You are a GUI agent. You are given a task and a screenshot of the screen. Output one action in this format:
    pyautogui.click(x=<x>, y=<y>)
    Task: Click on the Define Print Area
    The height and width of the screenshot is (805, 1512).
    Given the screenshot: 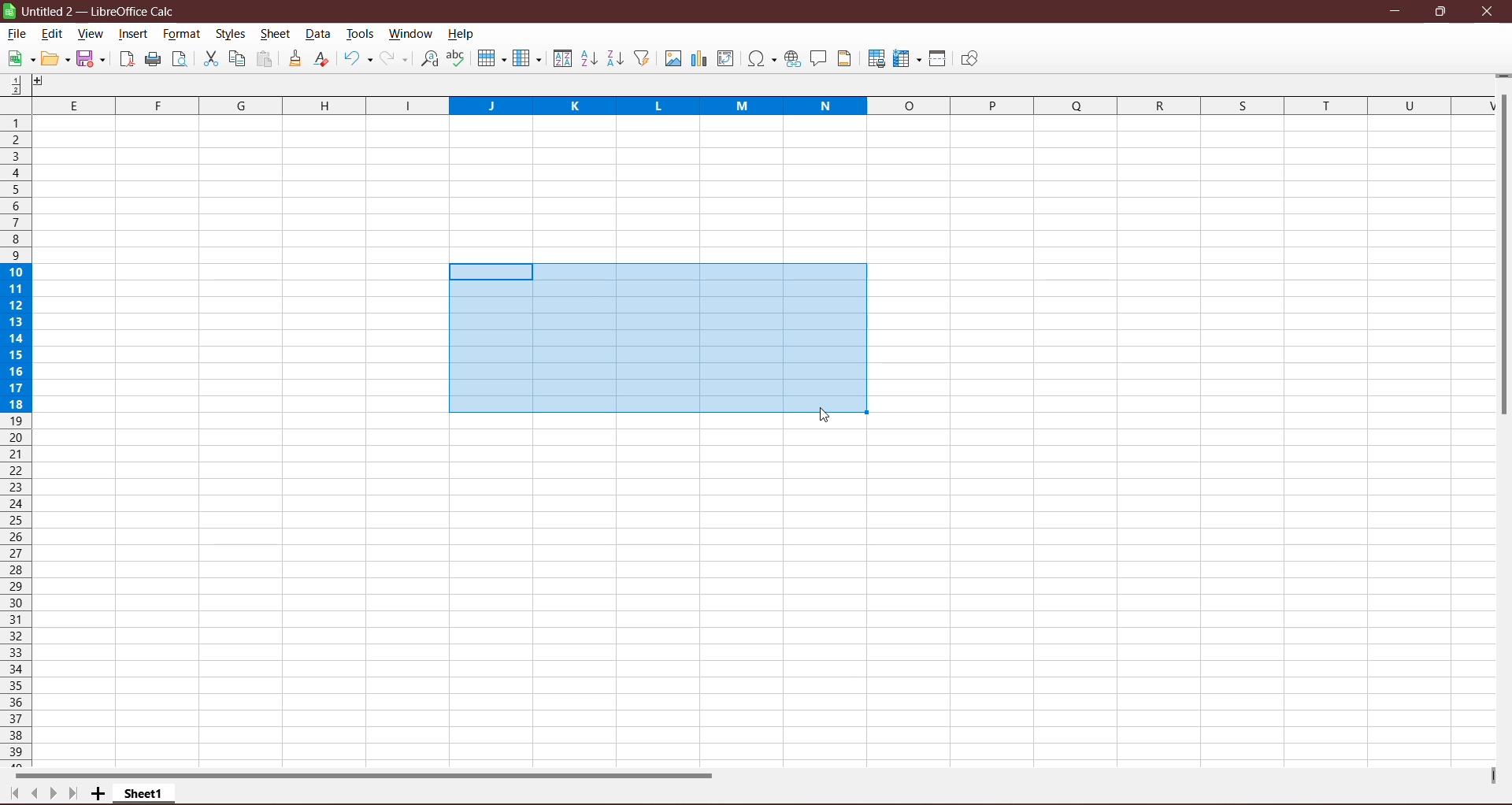 What is the action you would take?
    pyautogui.click(x=876, y=60)
    